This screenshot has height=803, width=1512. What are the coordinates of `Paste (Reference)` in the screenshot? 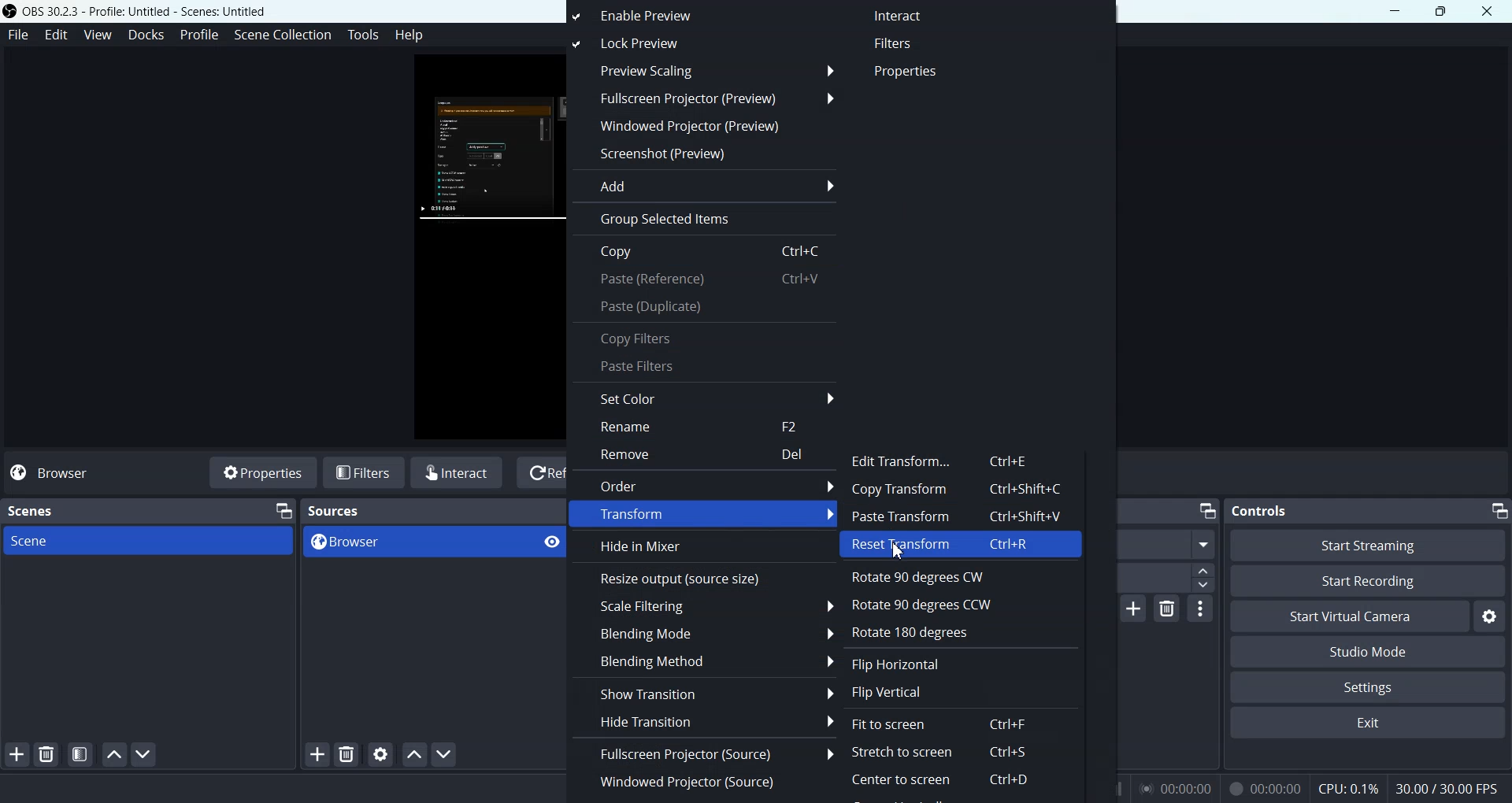 It's located at (705, 280).